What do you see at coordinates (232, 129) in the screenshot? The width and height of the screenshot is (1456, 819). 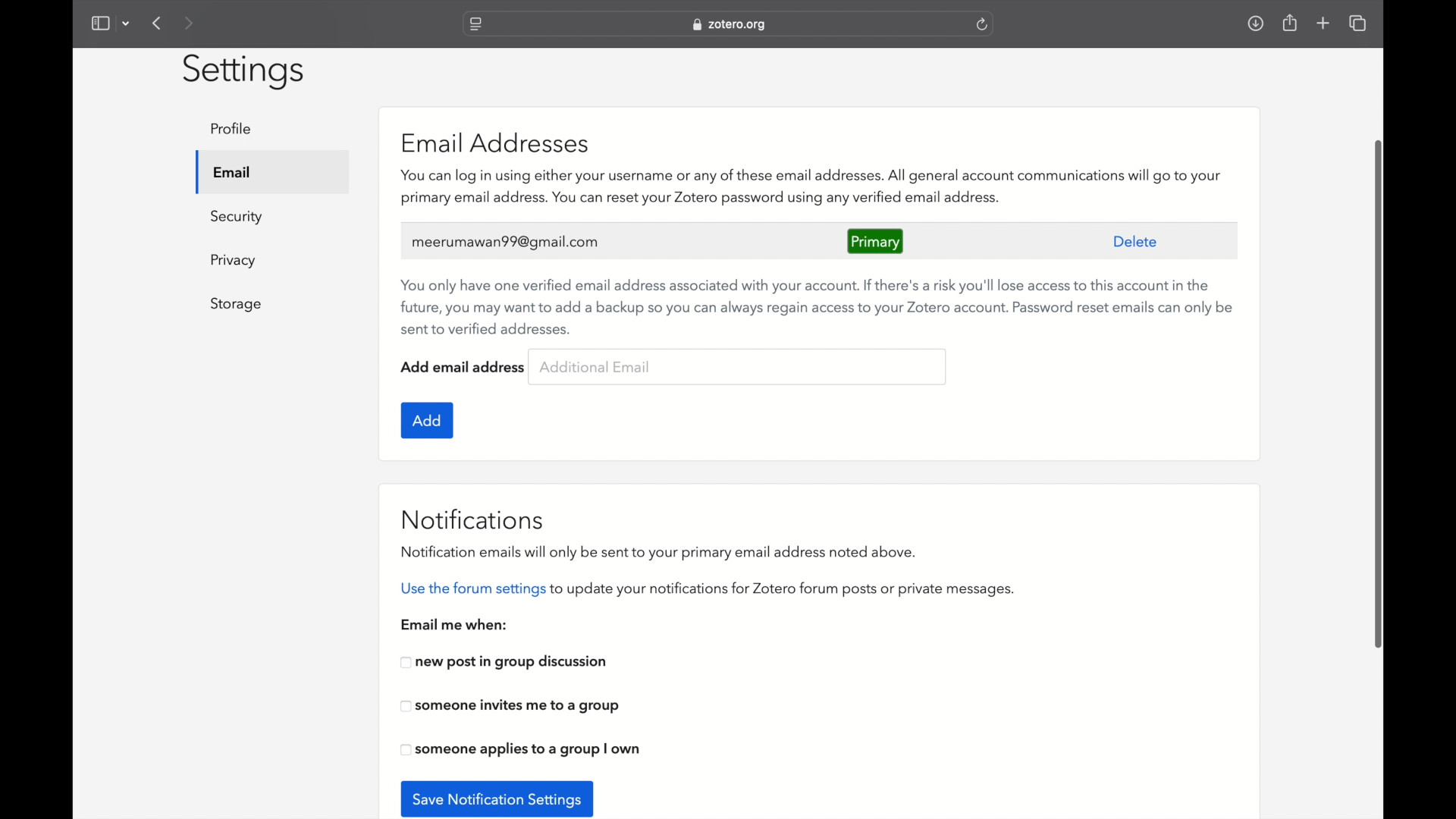 I see `profile` at bounding box center [232, 129].